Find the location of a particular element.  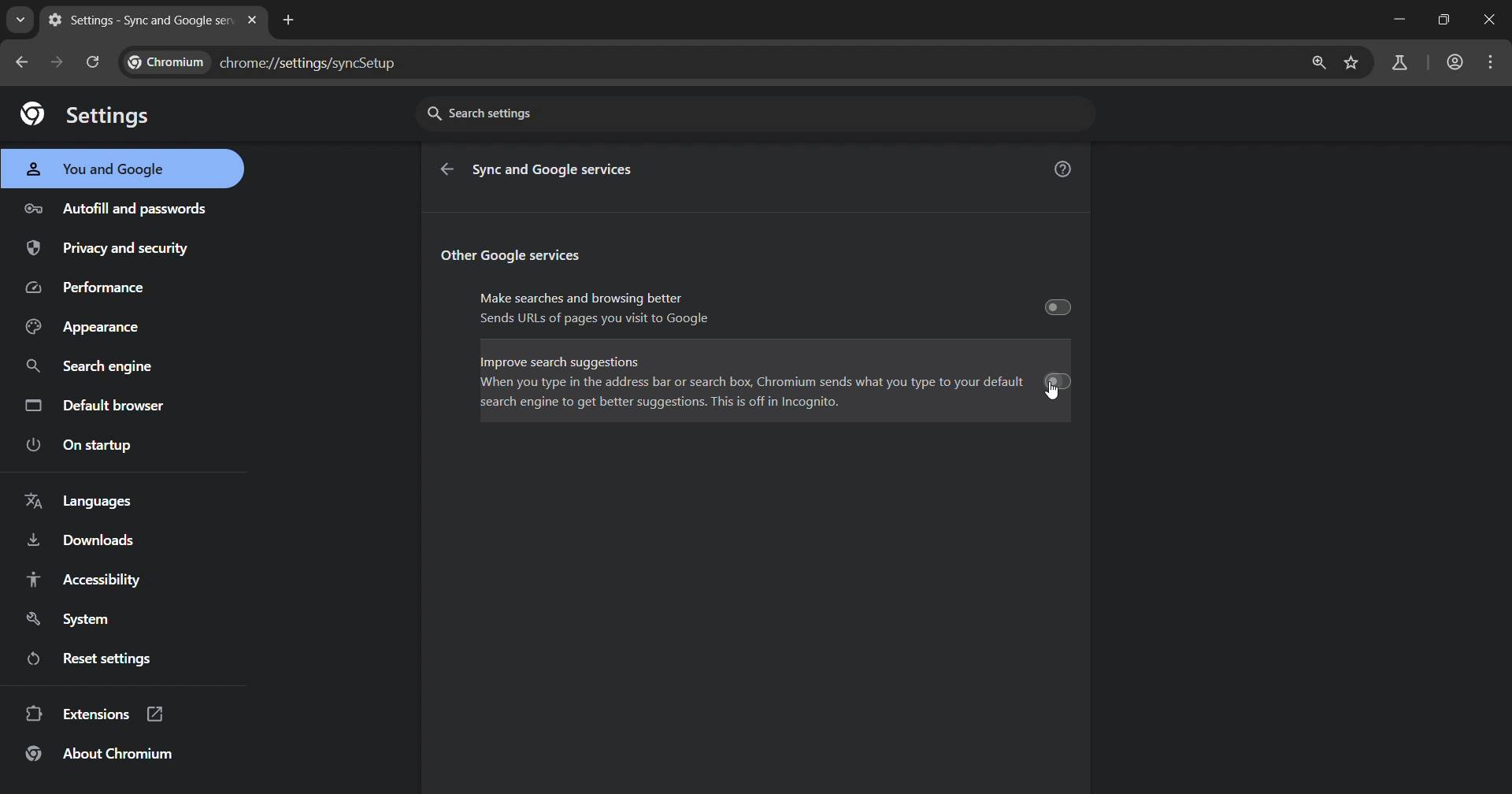

minimize is located at coordinates (1395, 20).